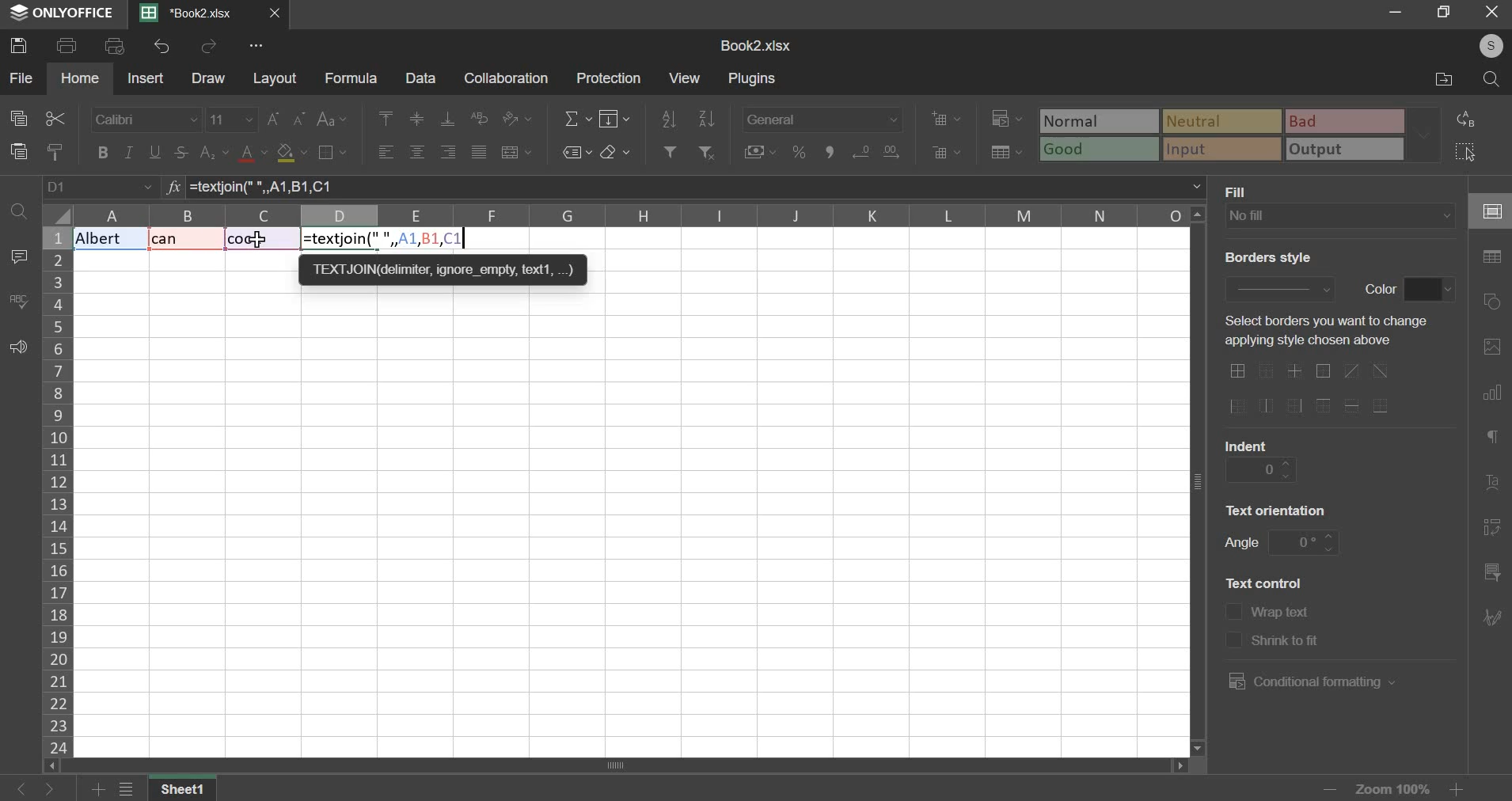 This screenshot has height=801, width=1512. Describe the element at coordinates (209, 79) in the screenshot. I see `draw` at that location.